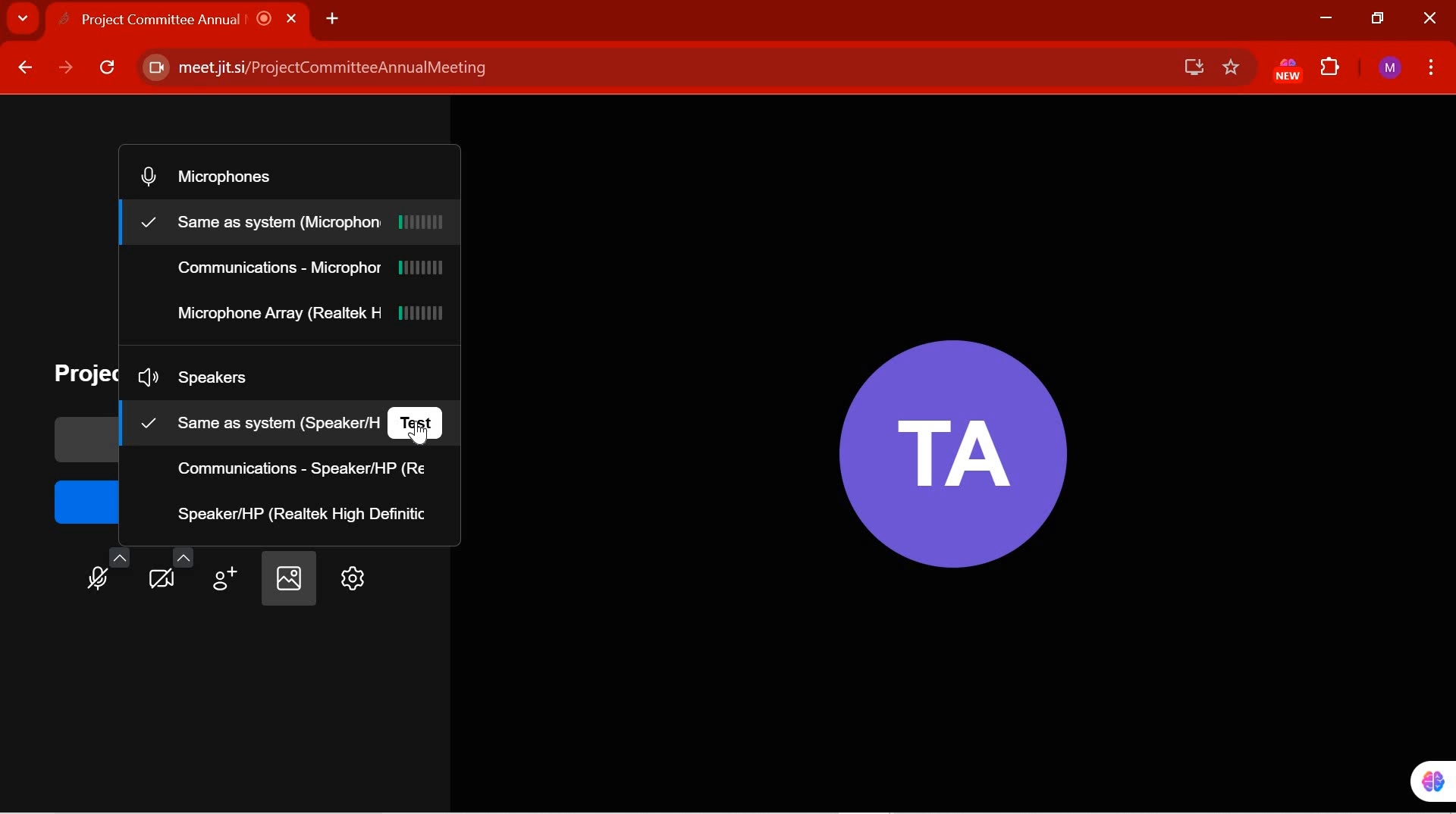  I want to click on communications - speaker/HP, so click(306, 469).